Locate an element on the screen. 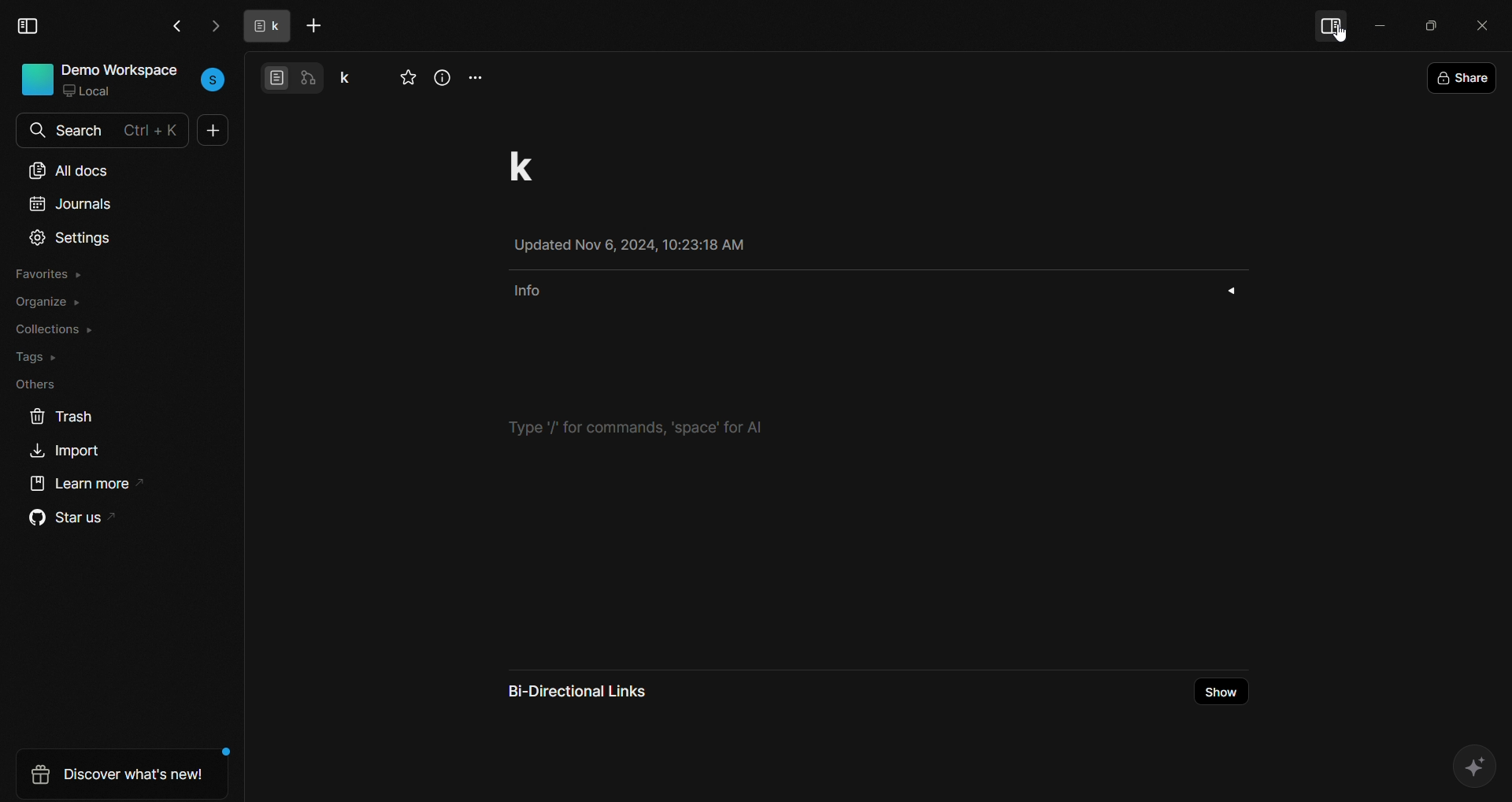 This screenshot has height=802, width=1512. view info is located at coordinates (443, 78).